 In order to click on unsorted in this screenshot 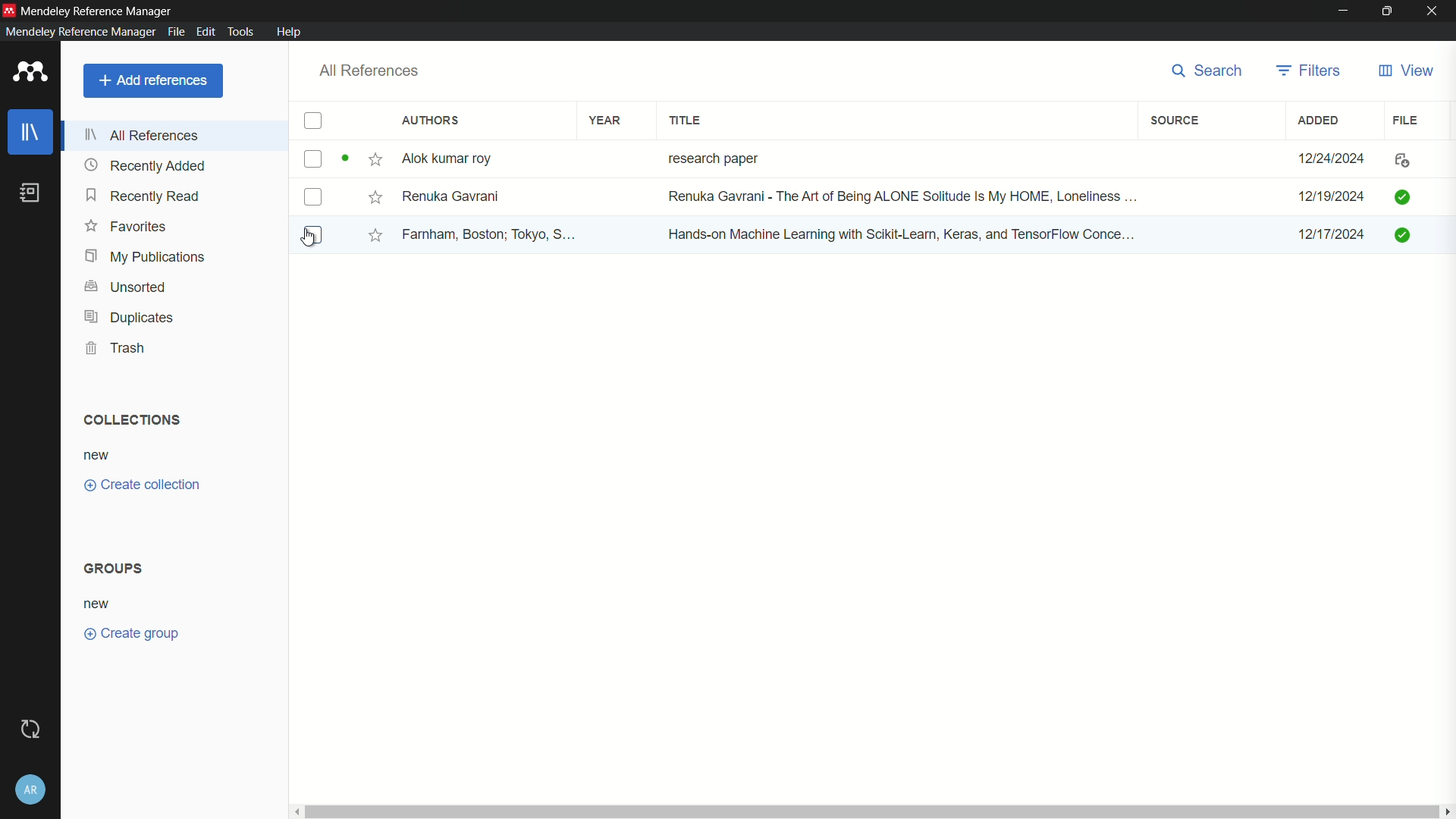, I will do `click(124, 287)`.